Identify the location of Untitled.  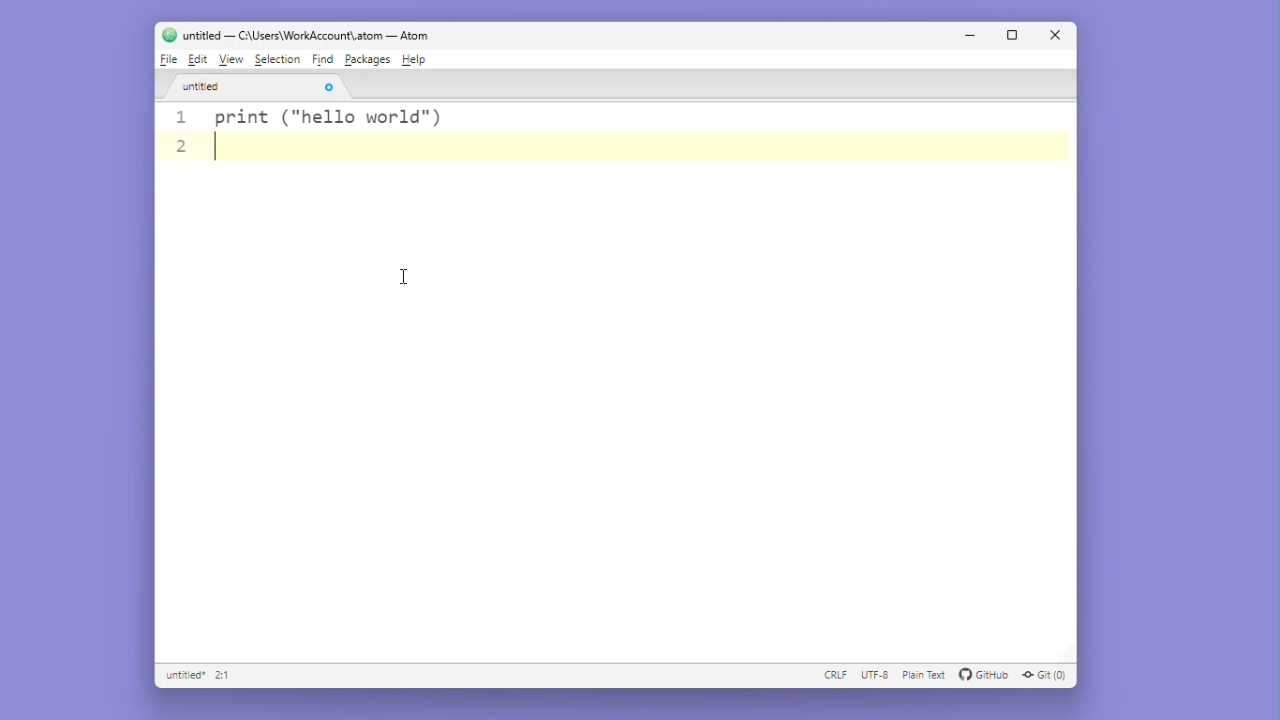
(255, 91).